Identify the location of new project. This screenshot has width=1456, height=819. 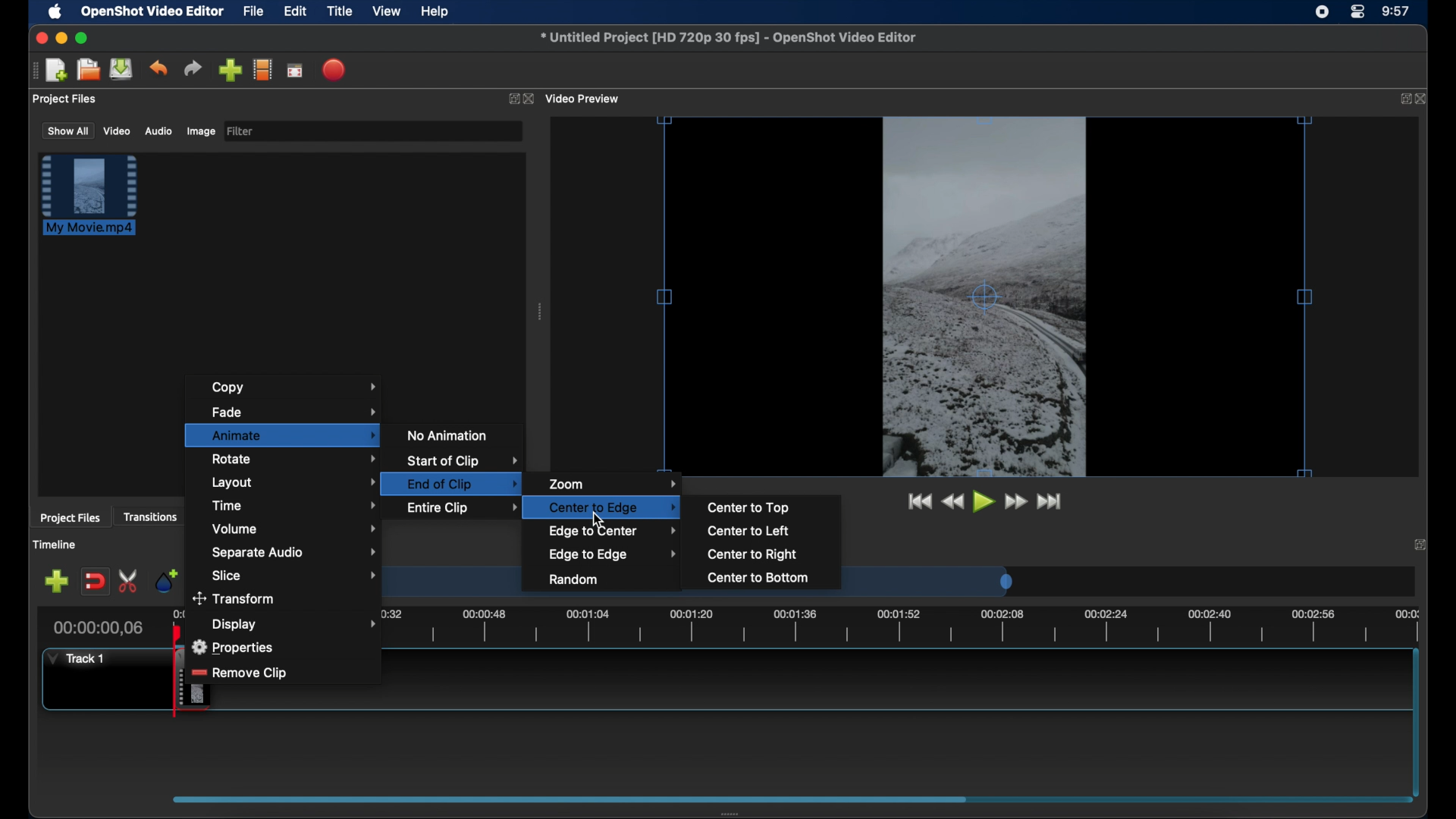
(58, 71).